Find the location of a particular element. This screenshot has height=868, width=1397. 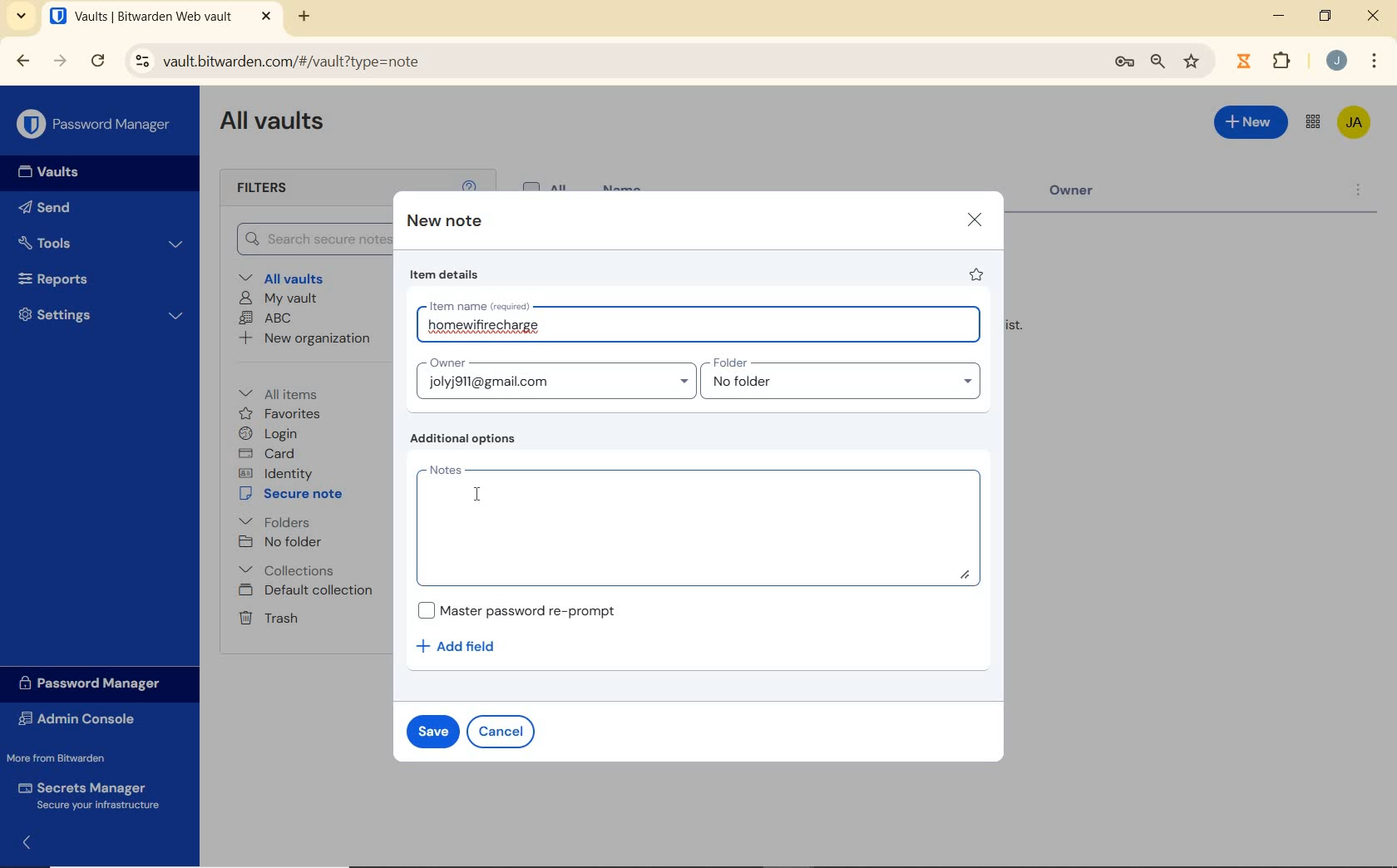

Send is located at coordinates (50, 206).